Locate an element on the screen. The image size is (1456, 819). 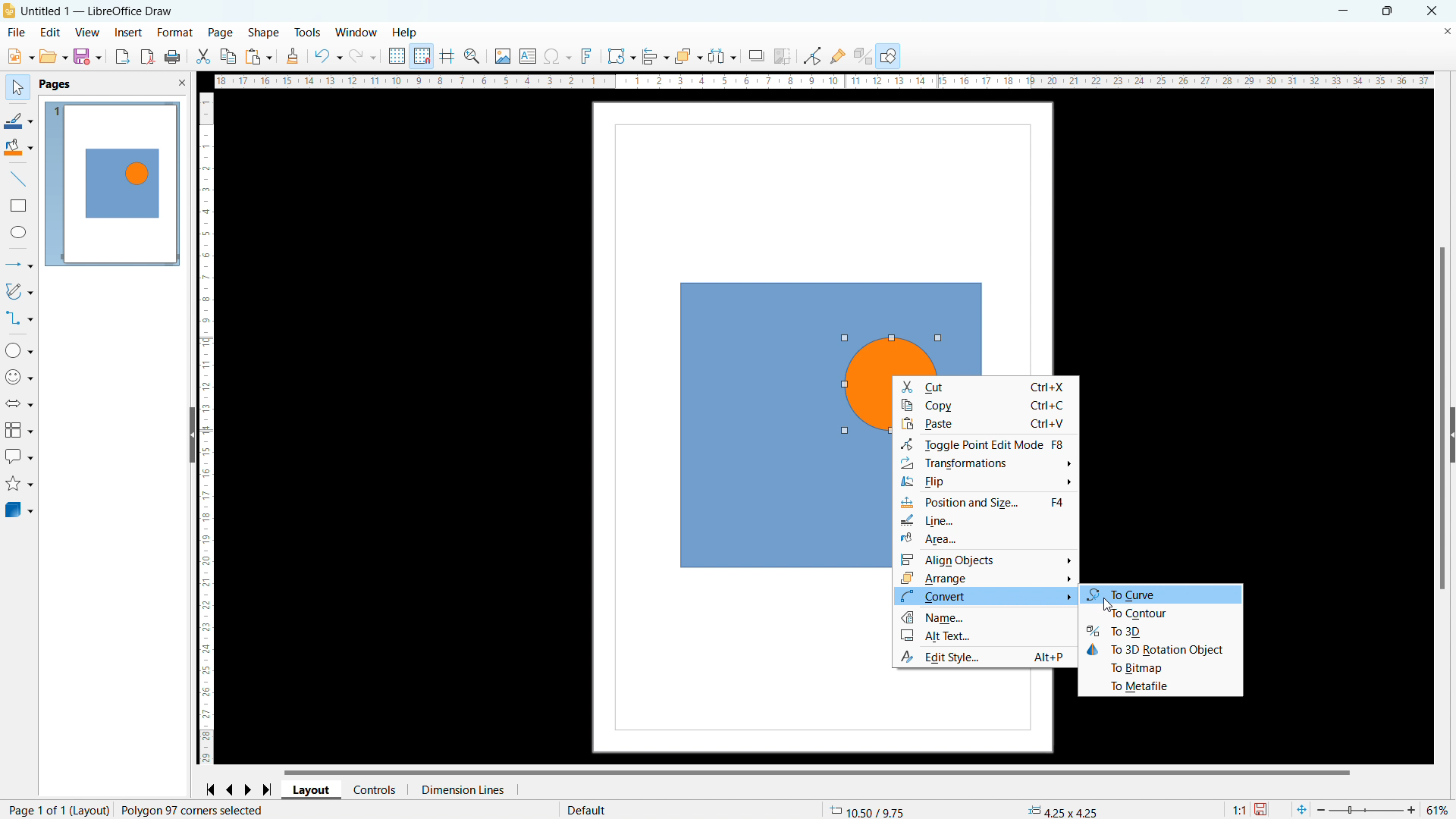
4.25x4.25 is located at coordinates (1062, 810).